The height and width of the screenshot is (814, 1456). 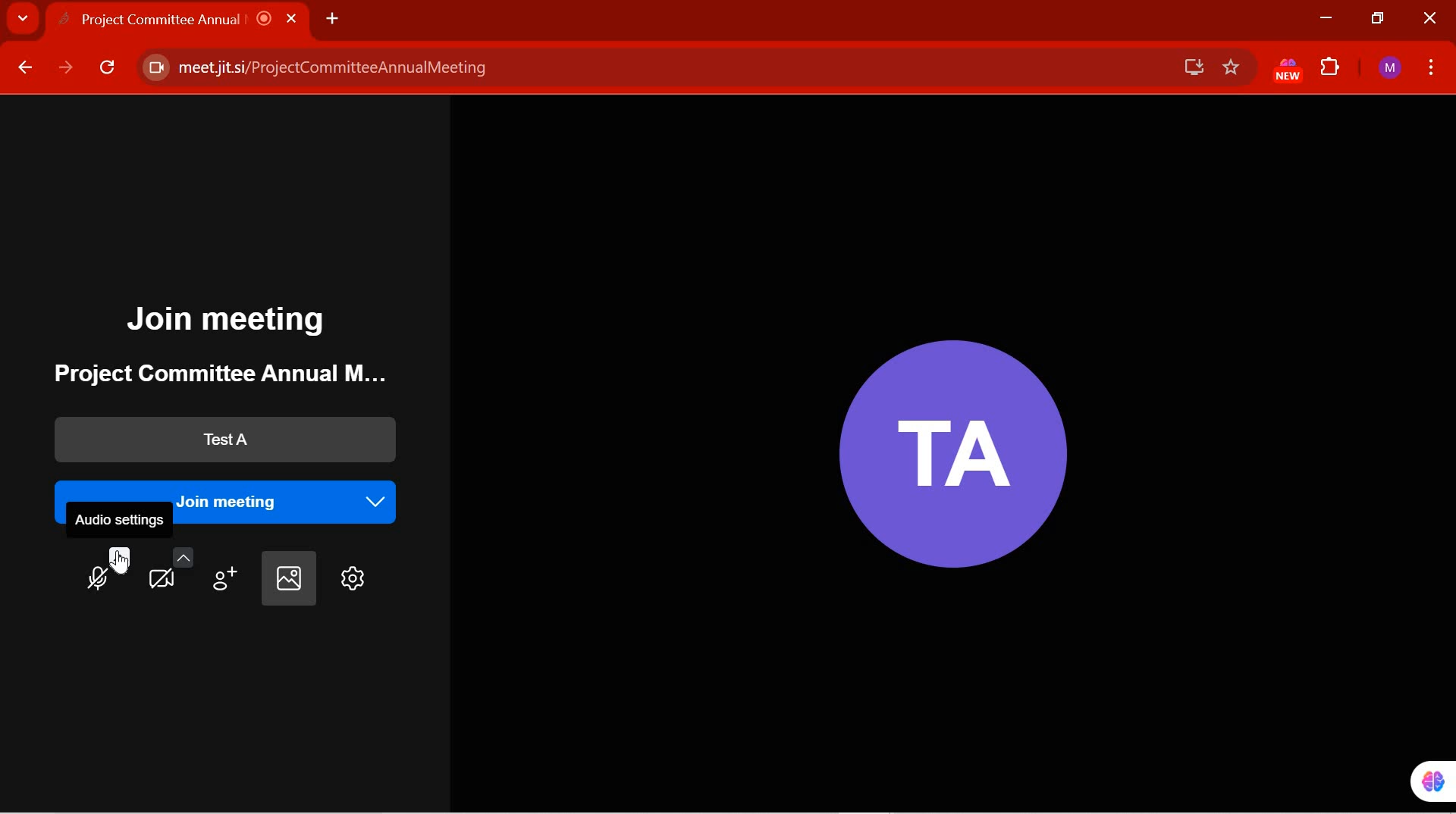 I want to click on join meeting, so click(x=234, y=488).